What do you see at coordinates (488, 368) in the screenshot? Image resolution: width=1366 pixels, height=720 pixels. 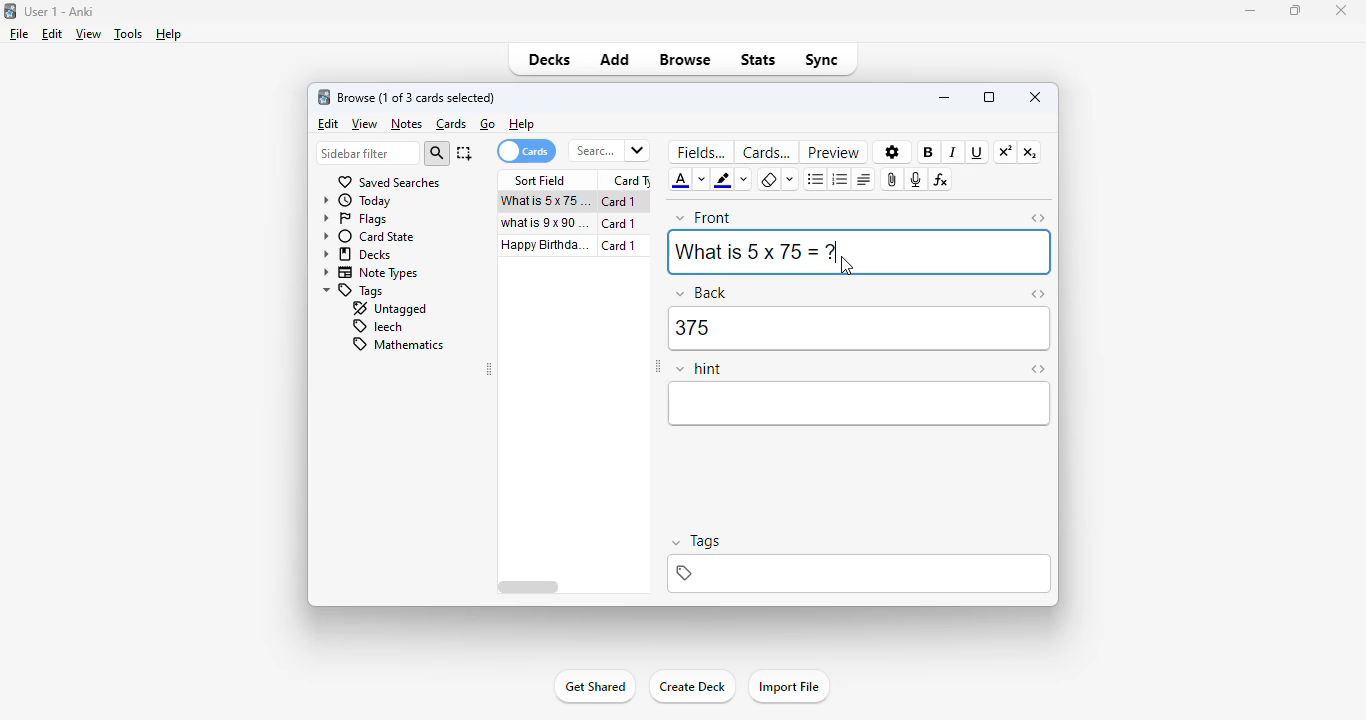 I see `toggle sidebar` at bounding box center [488, 368].